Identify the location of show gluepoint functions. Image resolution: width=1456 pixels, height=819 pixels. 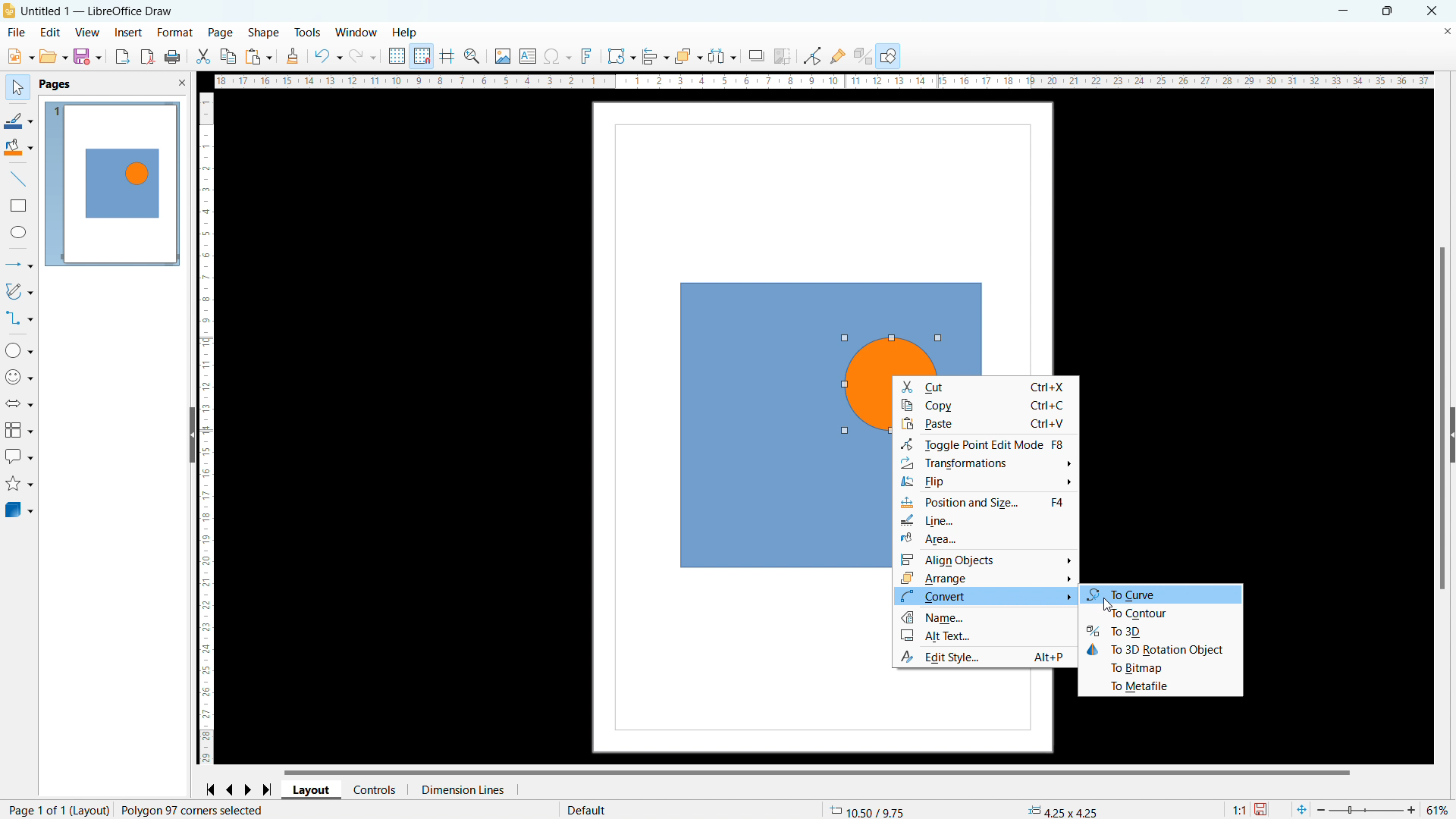
(837, 56).